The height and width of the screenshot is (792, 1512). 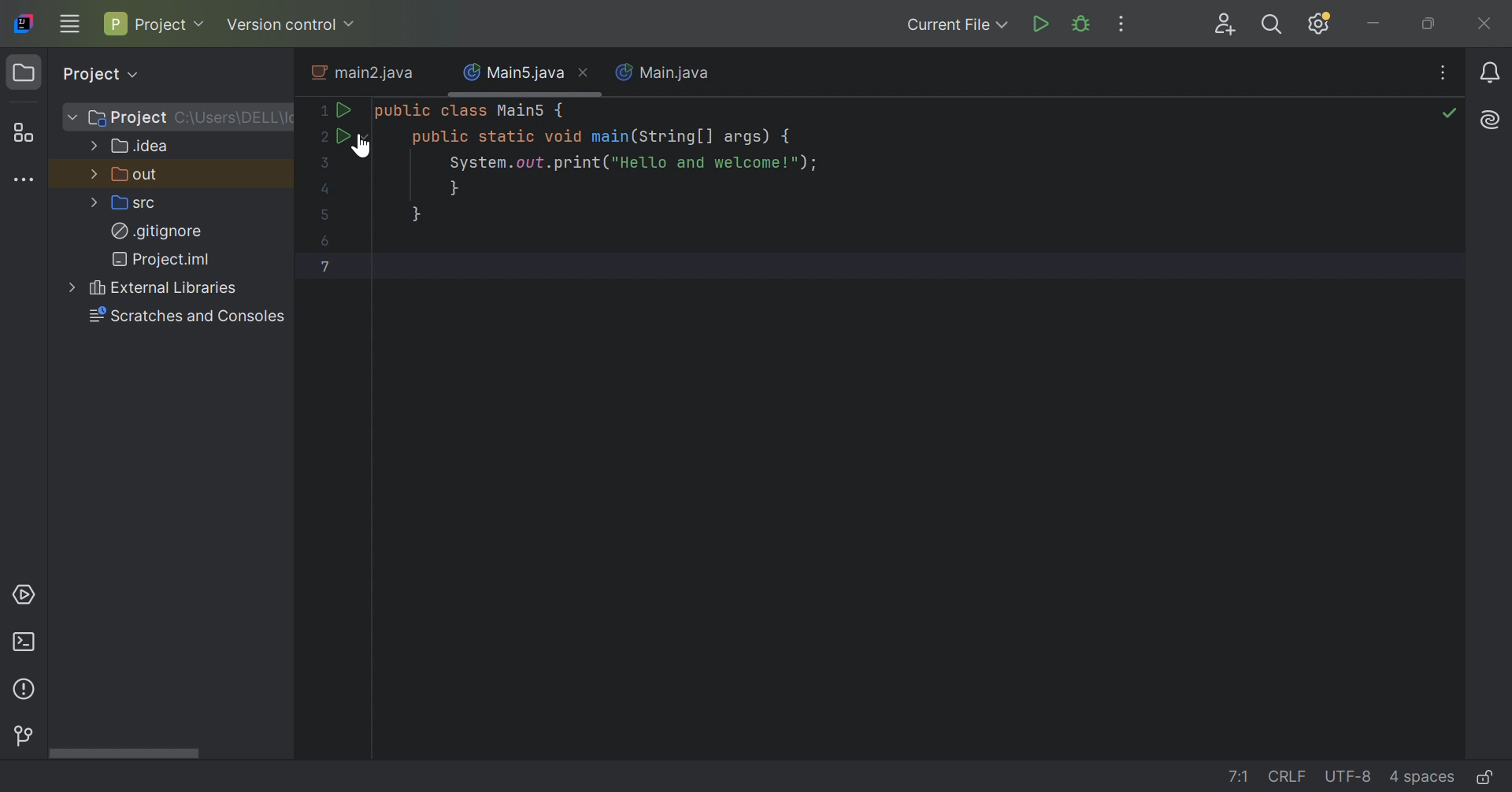 What do you see at coordinates (364, 72) in the screenshot?
I see `main2.java` at bounding box center [364, 72].